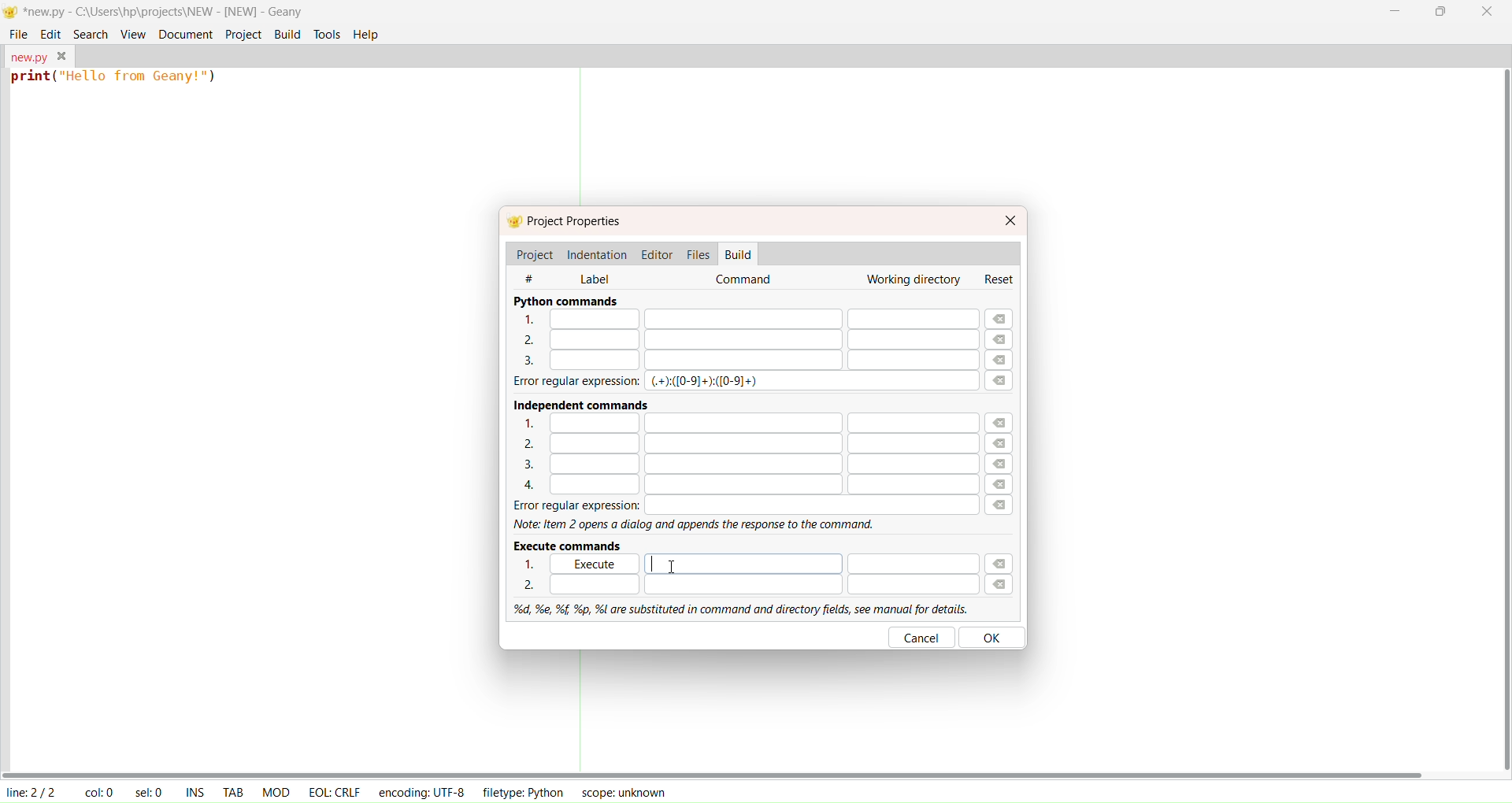  What do you see at coordinates (117, 80) in the screenshot?
I see `Print ("Hello from Granny!")` at bounding box center [117, 80].